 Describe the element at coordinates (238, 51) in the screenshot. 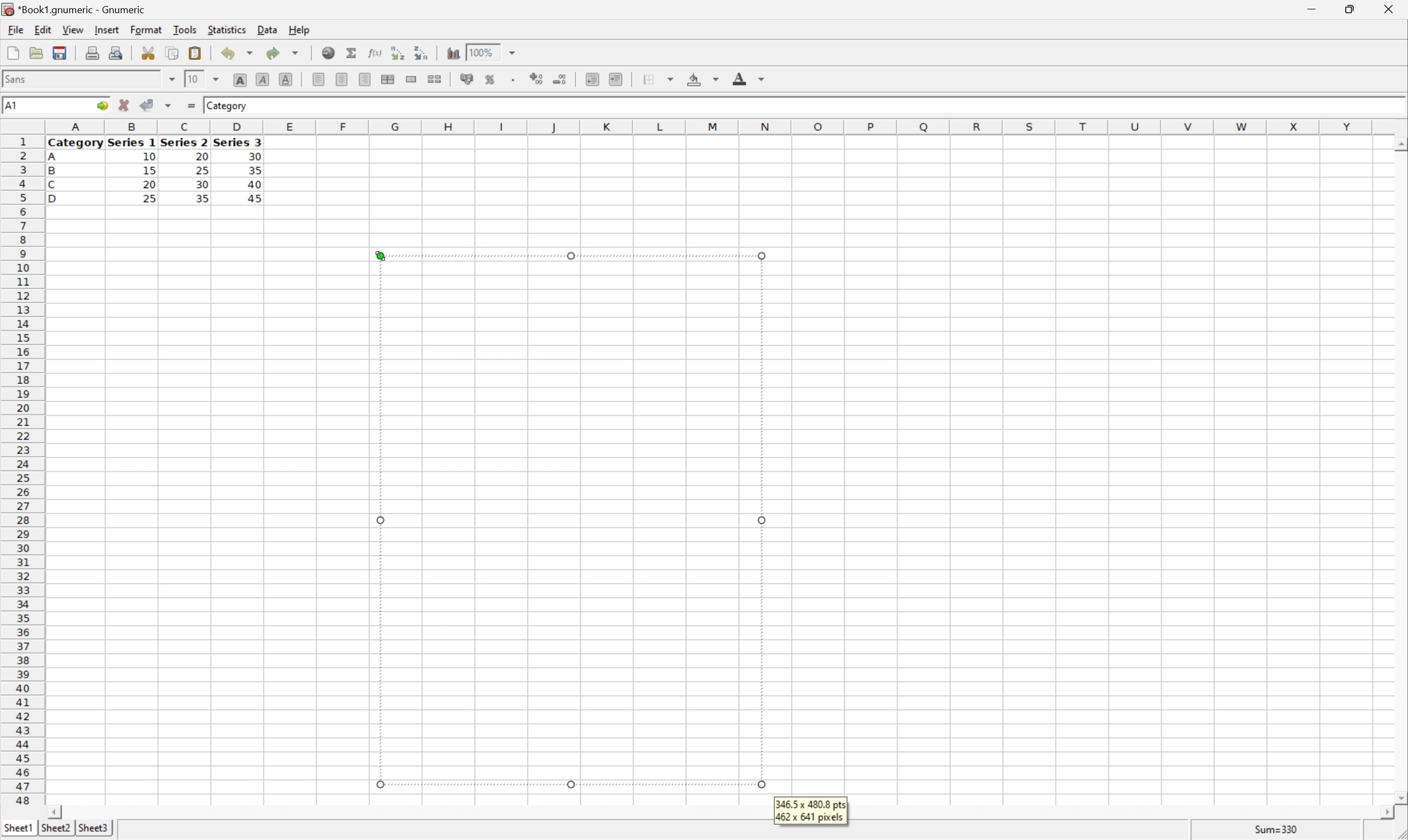

I see `Undo` at that location.